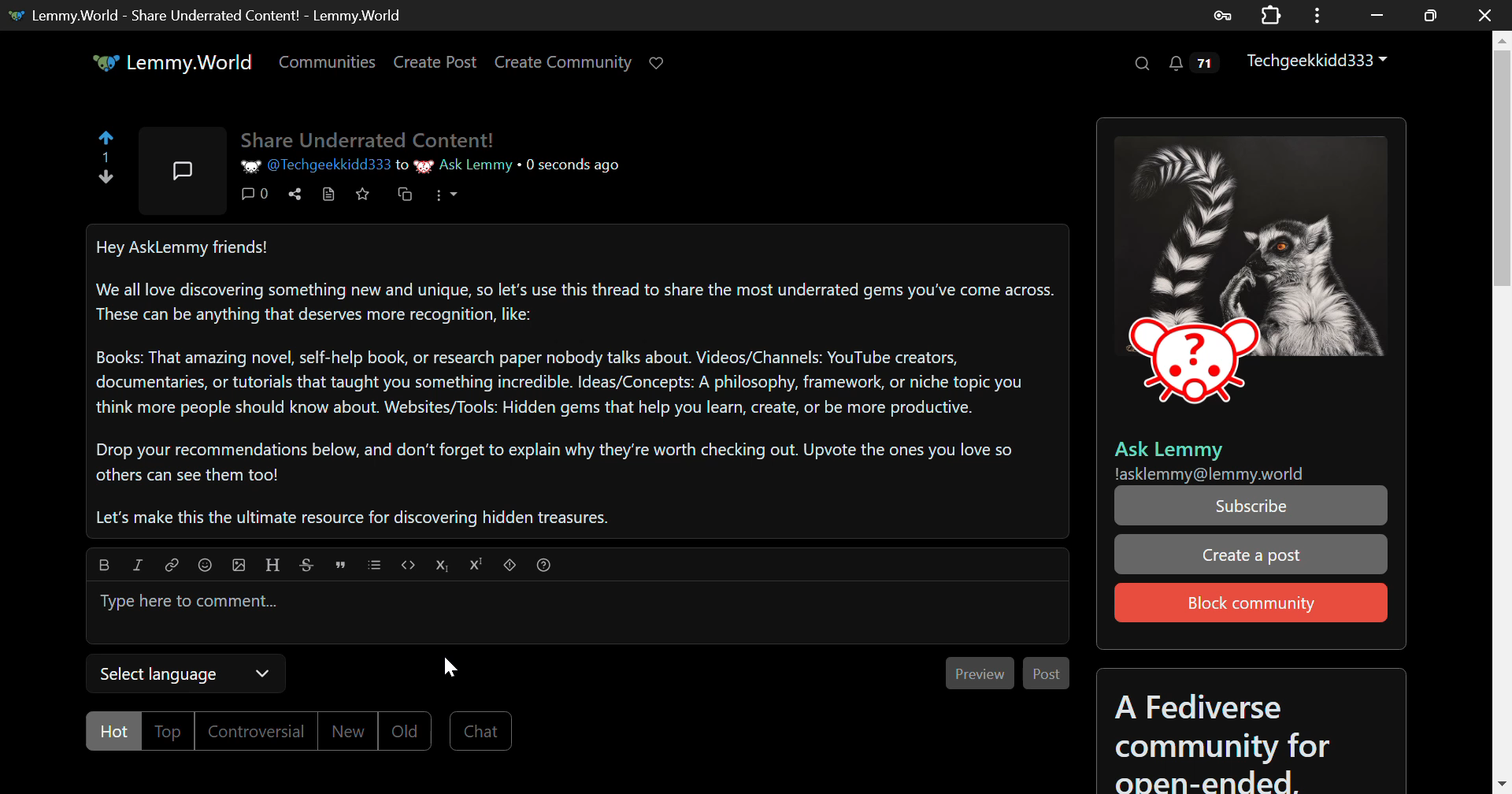  Describe the element at coordinates (578, 380) in the screenshot. I see `Post Body` at that location.